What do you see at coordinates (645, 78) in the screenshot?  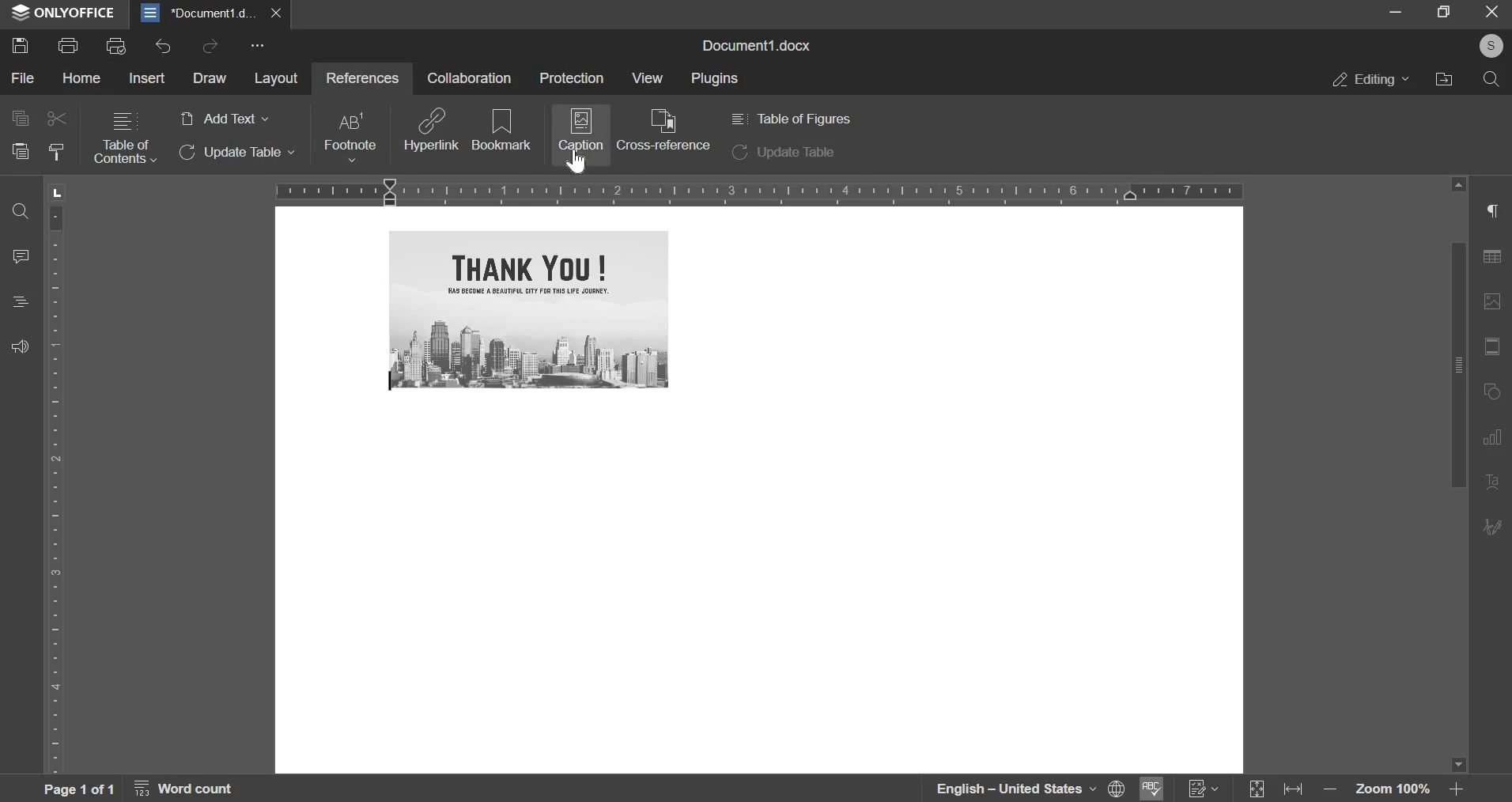 I see `view` at bounding box center [645, 78].